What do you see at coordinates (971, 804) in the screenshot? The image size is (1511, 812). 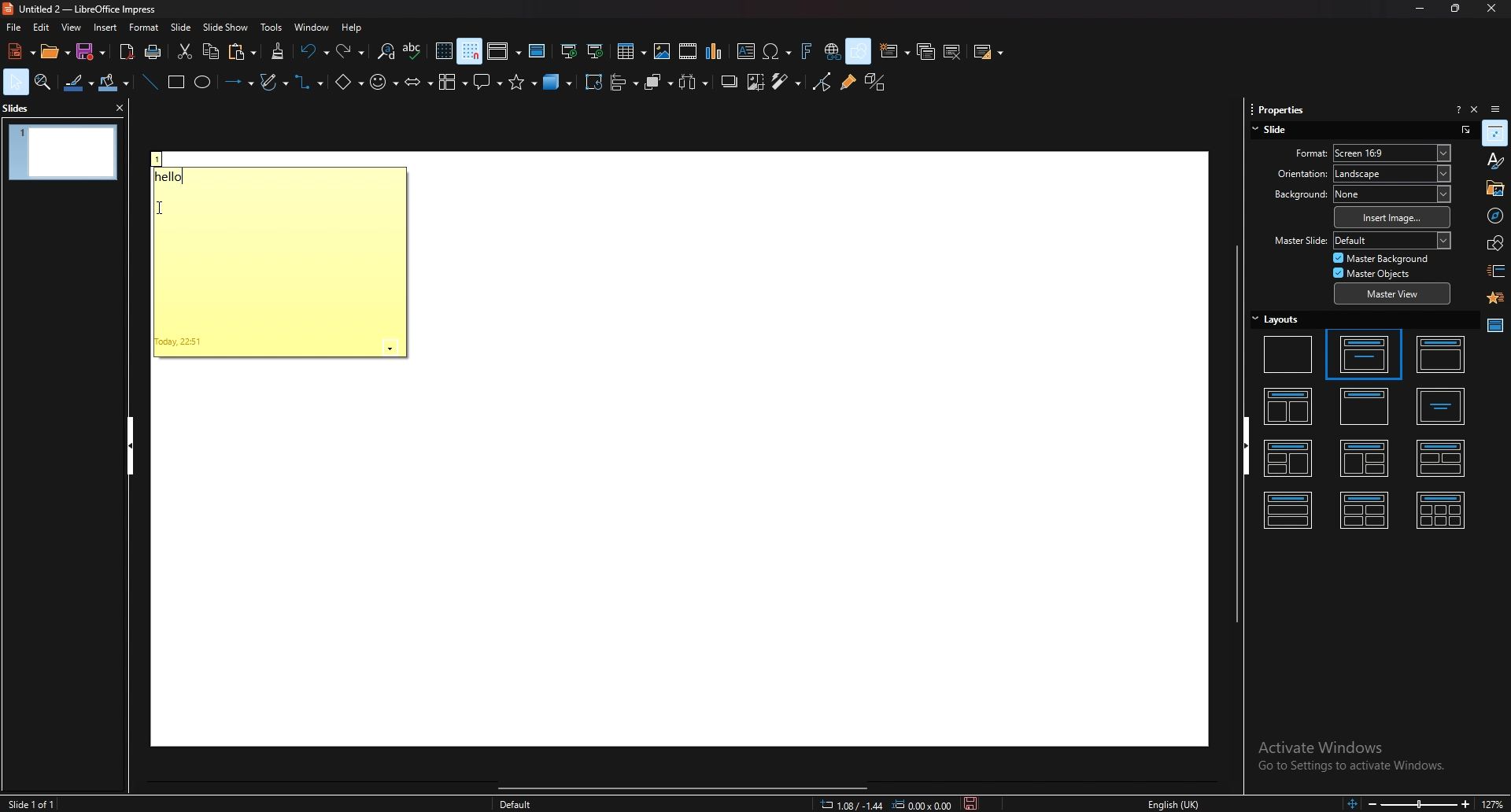 I see `click to save last change` at bounding box center [971, 804].